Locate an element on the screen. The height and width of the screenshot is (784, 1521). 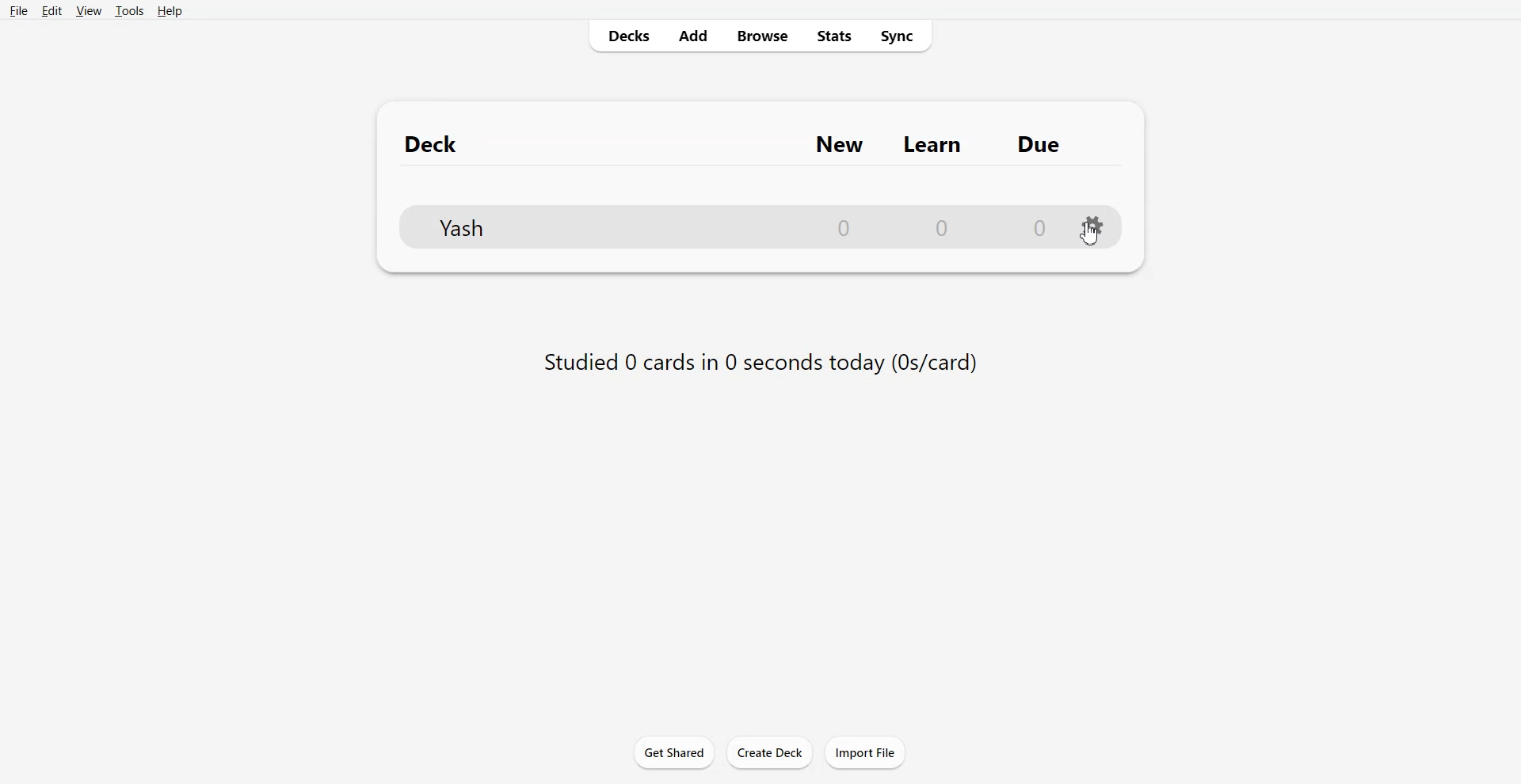
Import File is located at coordinates (865, 752).